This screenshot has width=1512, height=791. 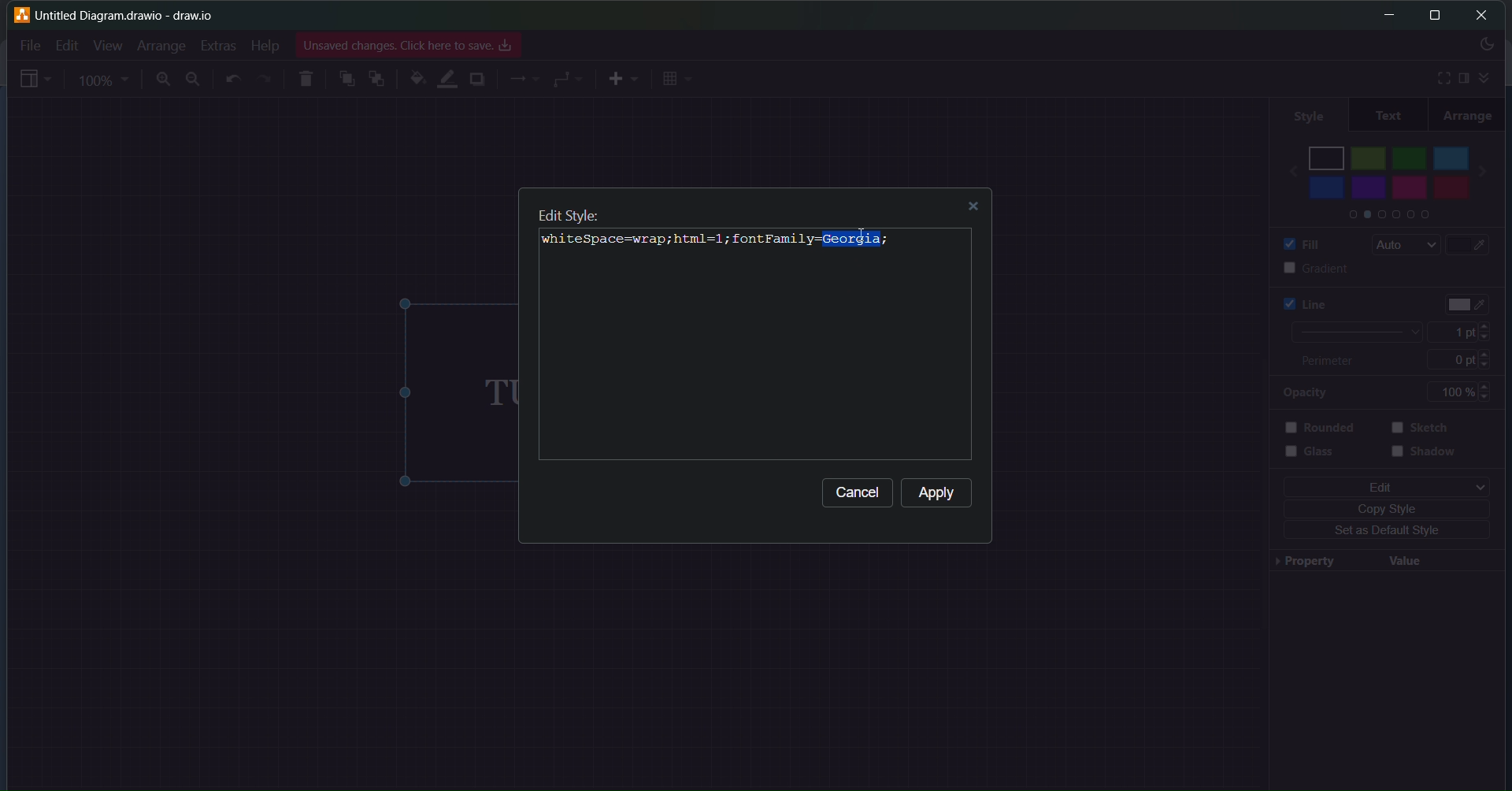 I want to click on fill color, so click(x=415, y=79).